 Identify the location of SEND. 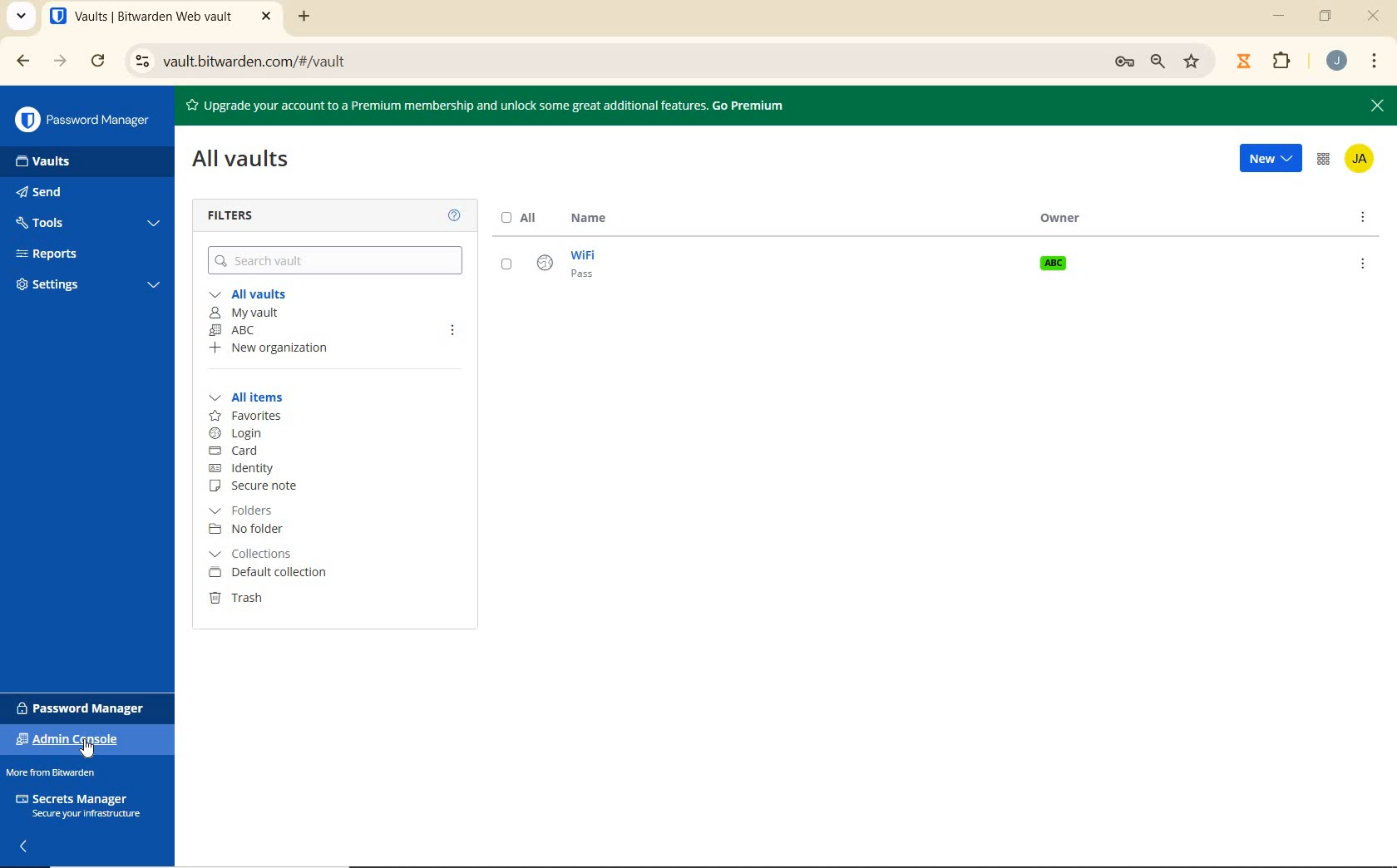
(57, 194).